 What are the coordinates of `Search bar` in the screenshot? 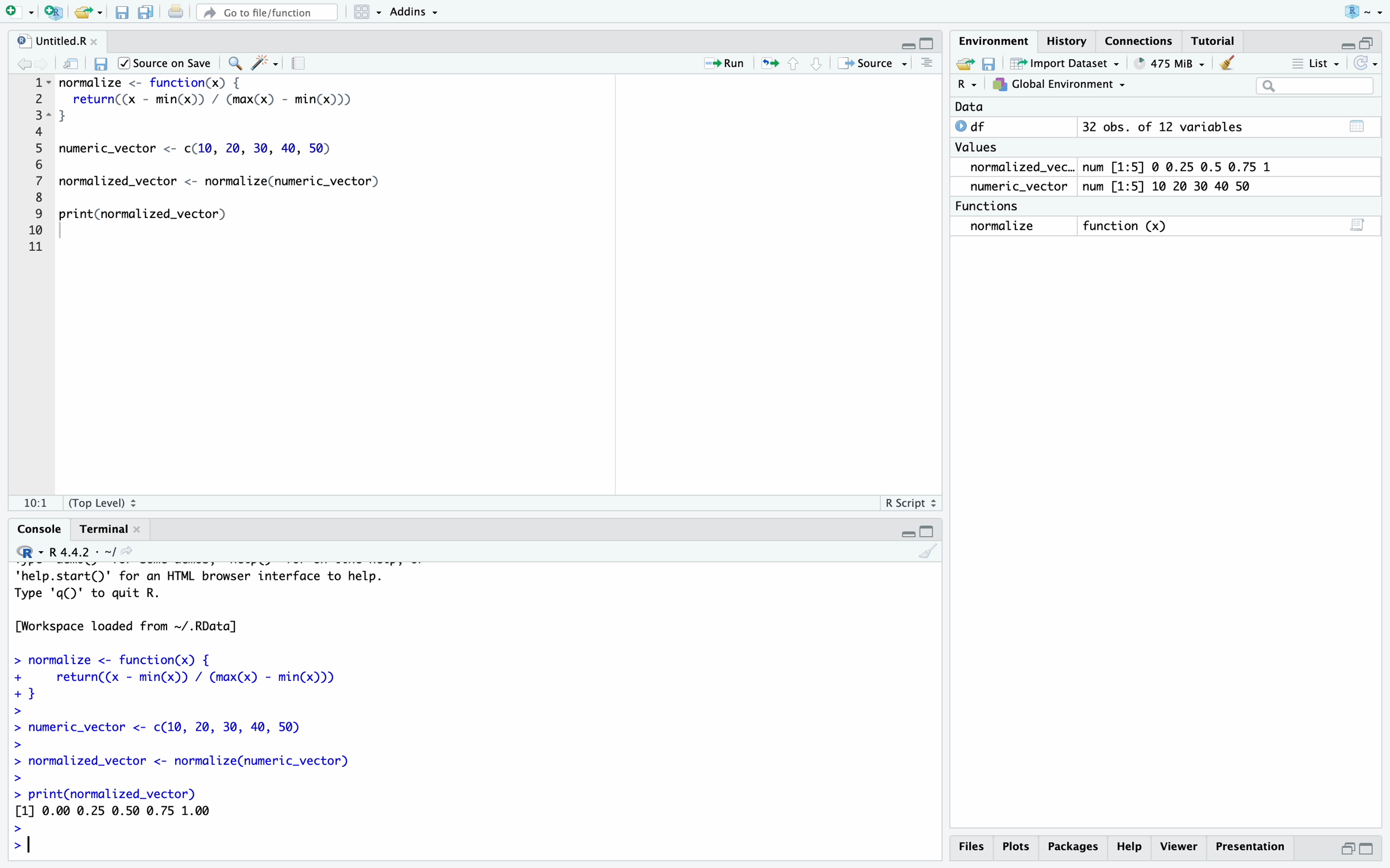 It's located at (1314, 86).